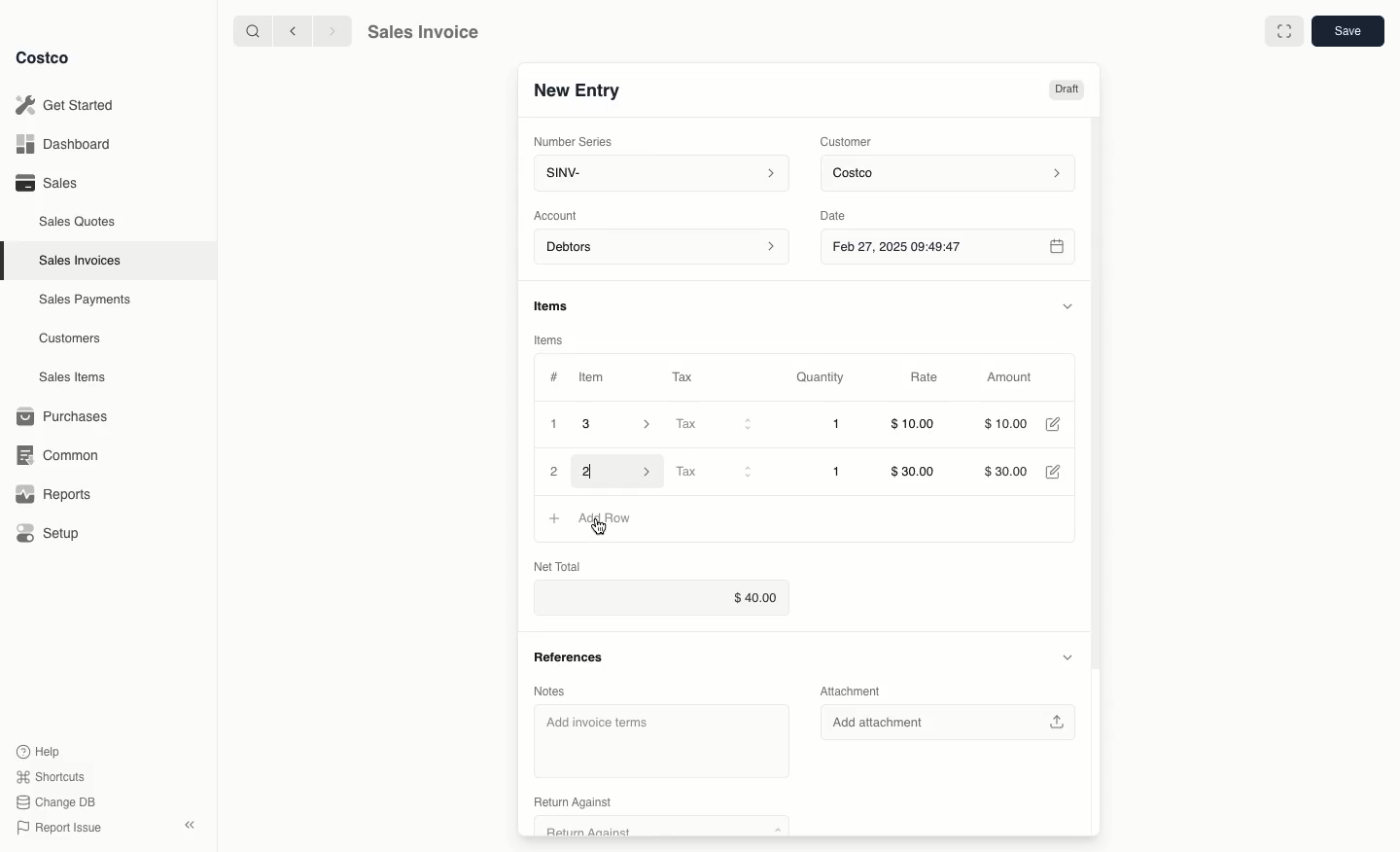 This screenshot has width=1400, height=852. Describe the element at coordinates (1004, 472) in the screenshot. I see `$30.00` at that location.